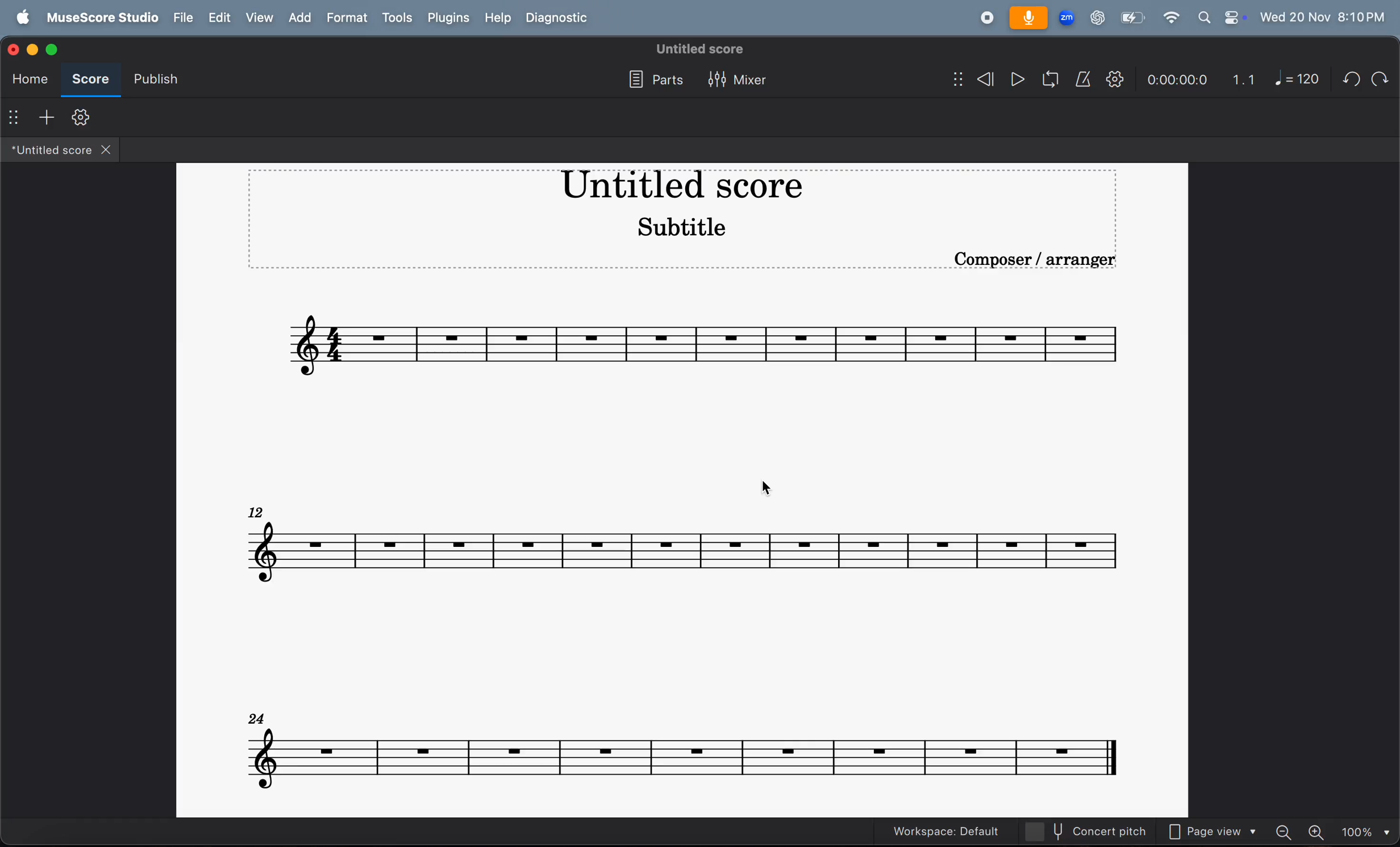 The width and height of the screenshot is (1400, 847). What do you see at coordinates (1282, 832) in the screenshot?
I see `zoom out` at bounding box center [1282, 832].